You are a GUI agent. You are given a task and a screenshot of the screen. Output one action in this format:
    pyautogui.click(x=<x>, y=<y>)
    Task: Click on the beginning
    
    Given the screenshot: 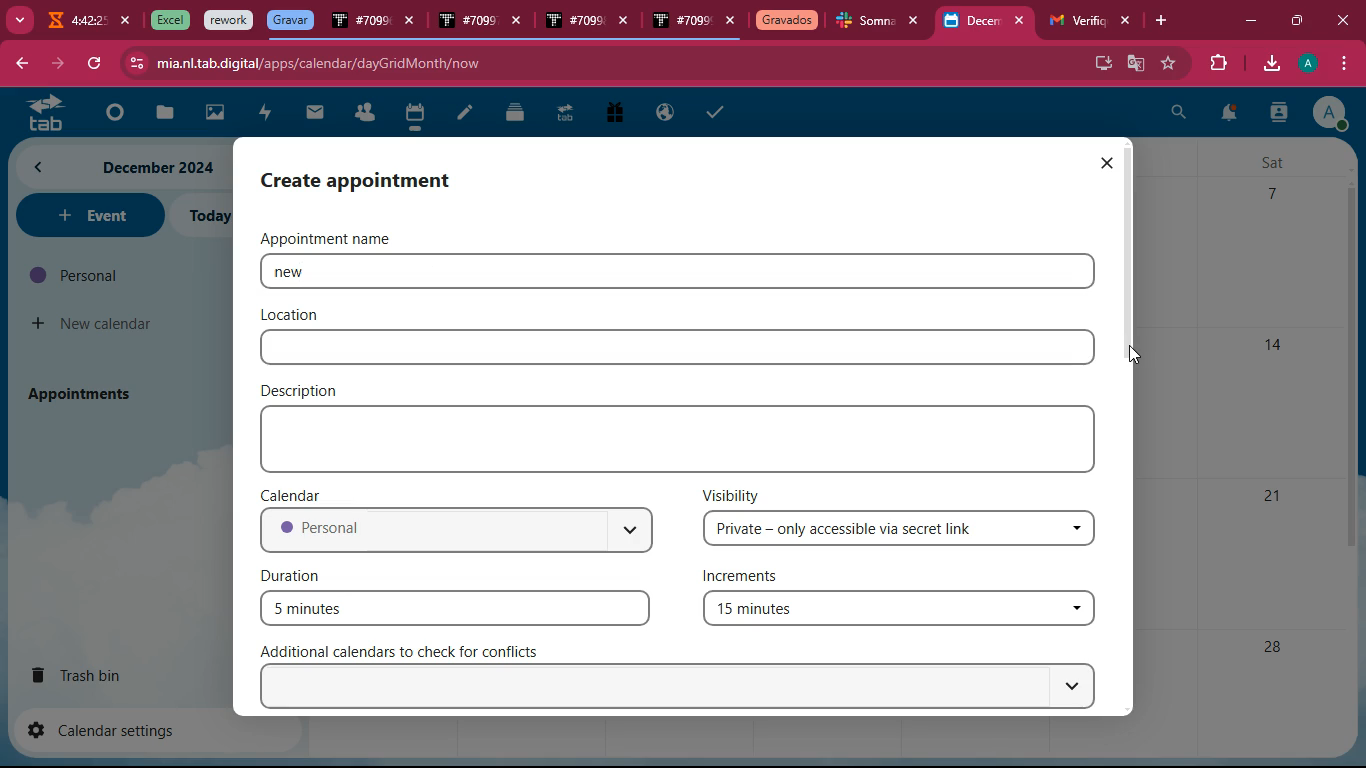 What is the action you would take?
    pyautogui.click(x=110, y=114)
    